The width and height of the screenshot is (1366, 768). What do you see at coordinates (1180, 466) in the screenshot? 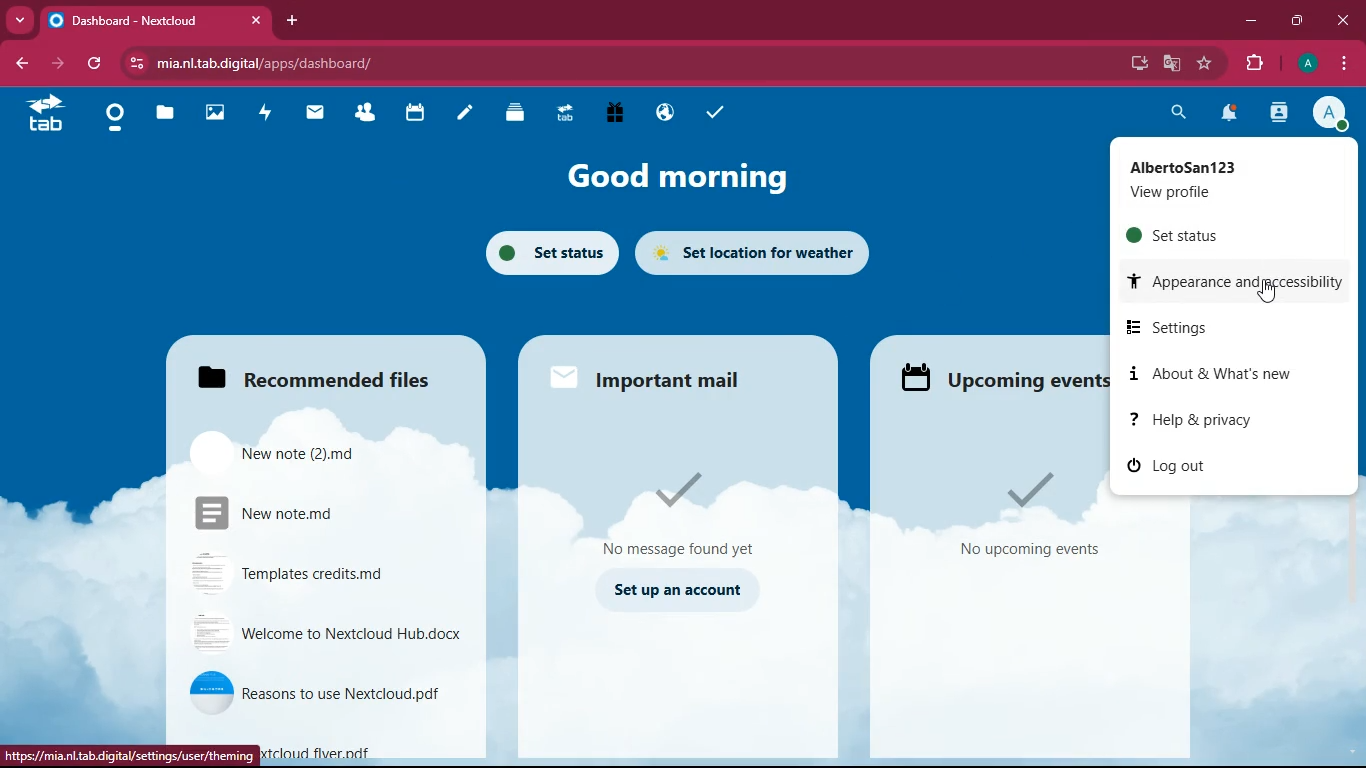
I see `log out` at bounding box center [1180, 466].